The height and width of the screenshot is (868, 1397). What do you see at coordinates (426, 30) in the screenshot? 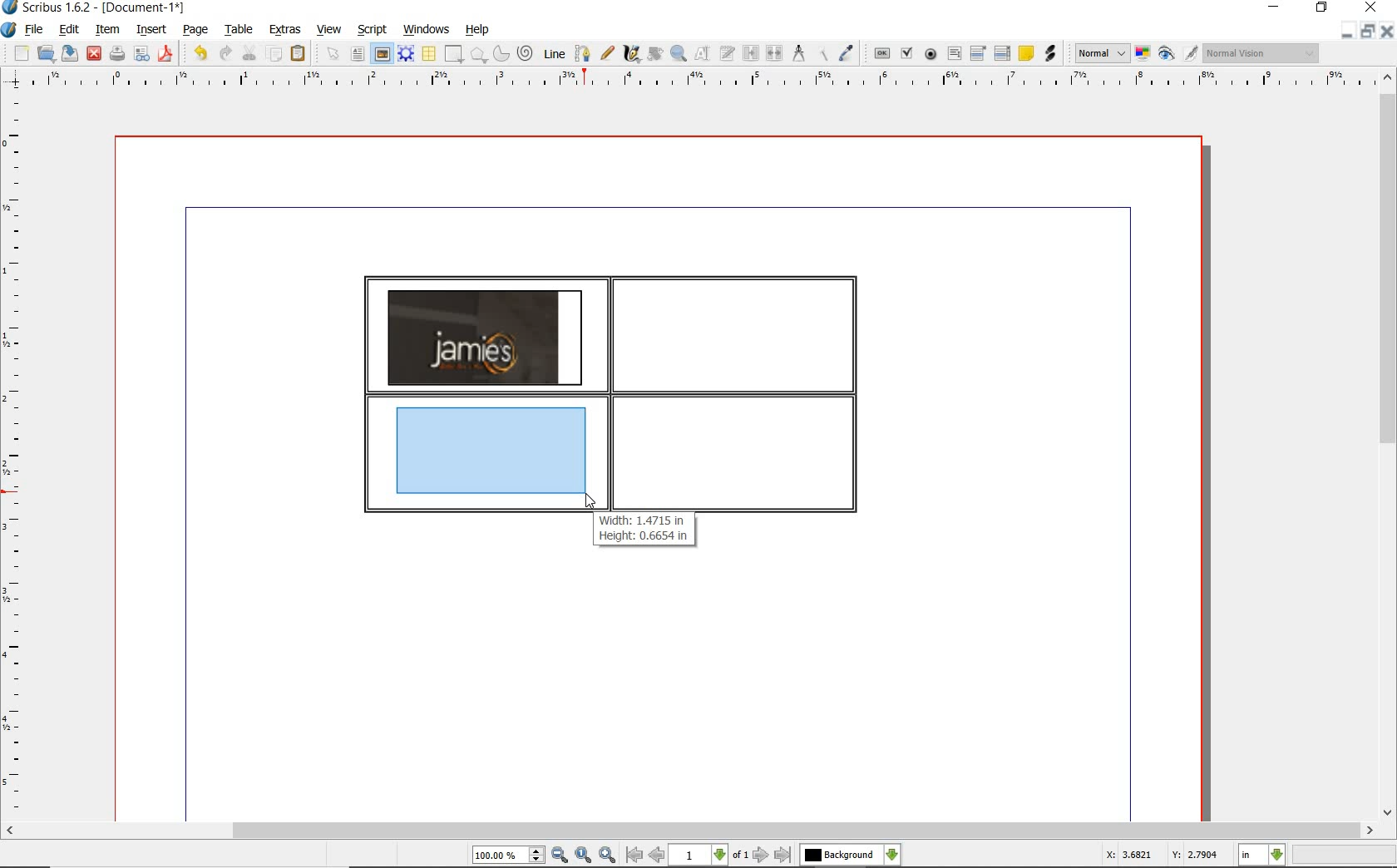
I see `windows` at bounding box center [426, 30].